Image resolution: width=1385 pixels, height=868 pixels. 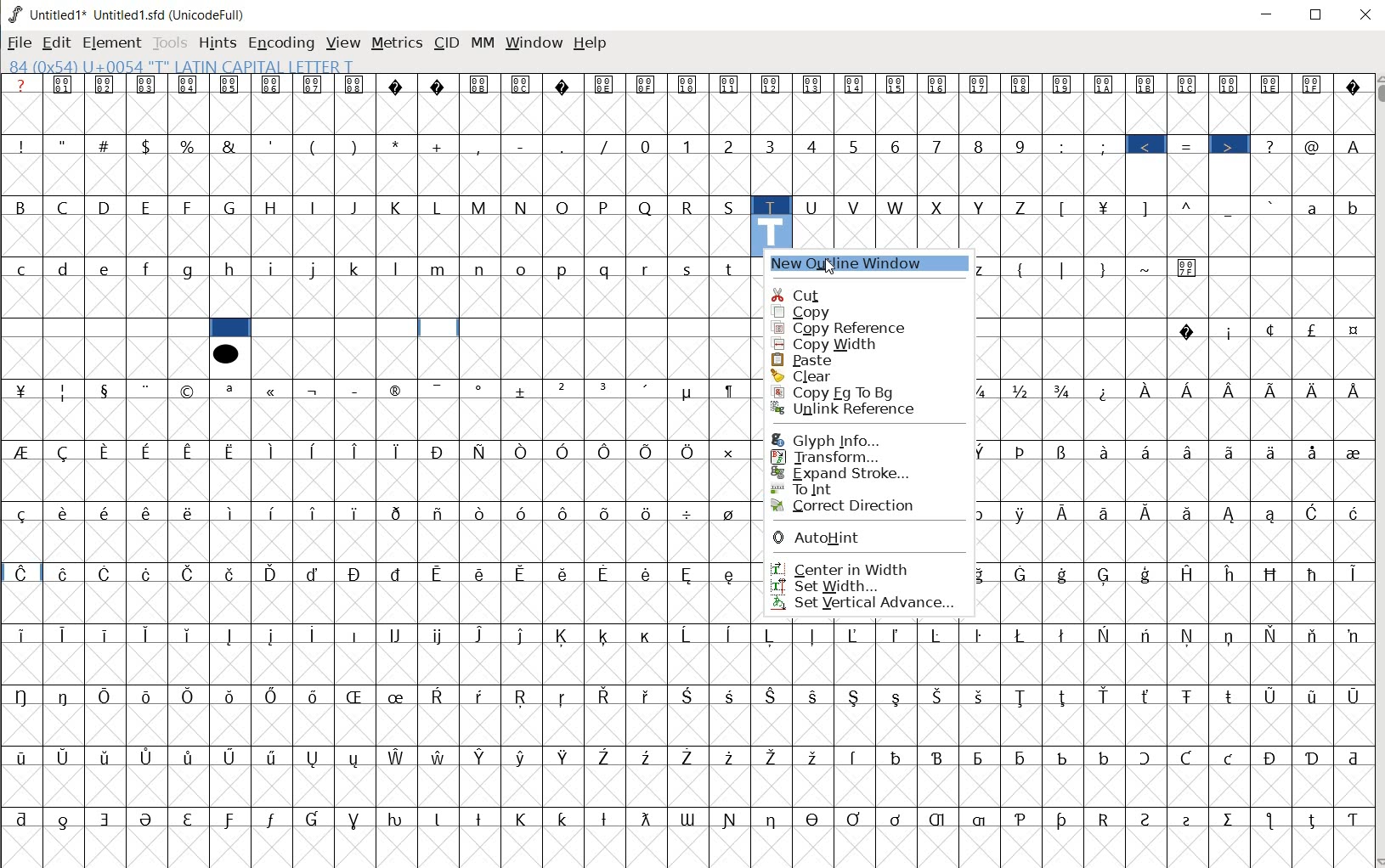 I want to click on Symbol, so click(x=856, y=84).